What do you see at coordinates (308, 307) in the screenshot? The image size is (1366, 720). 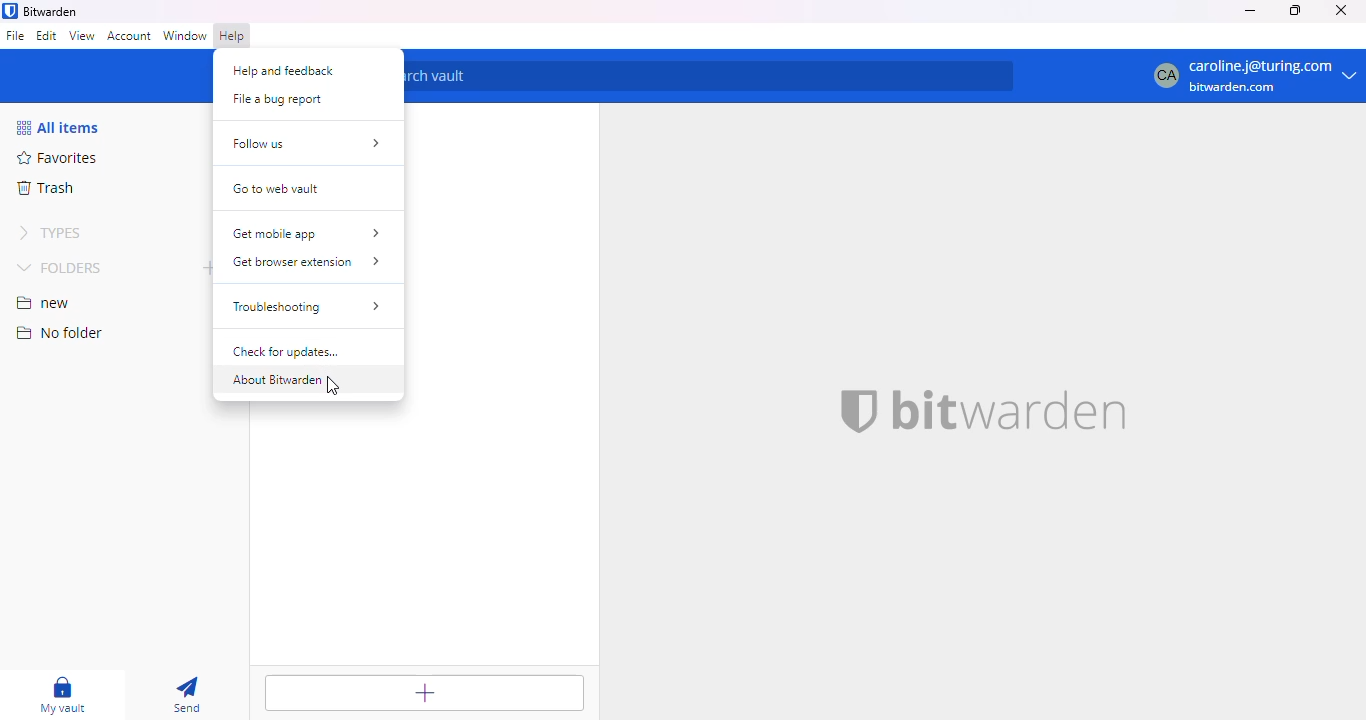 I see `Troubleshooting >` at bounding box center [308, 307].